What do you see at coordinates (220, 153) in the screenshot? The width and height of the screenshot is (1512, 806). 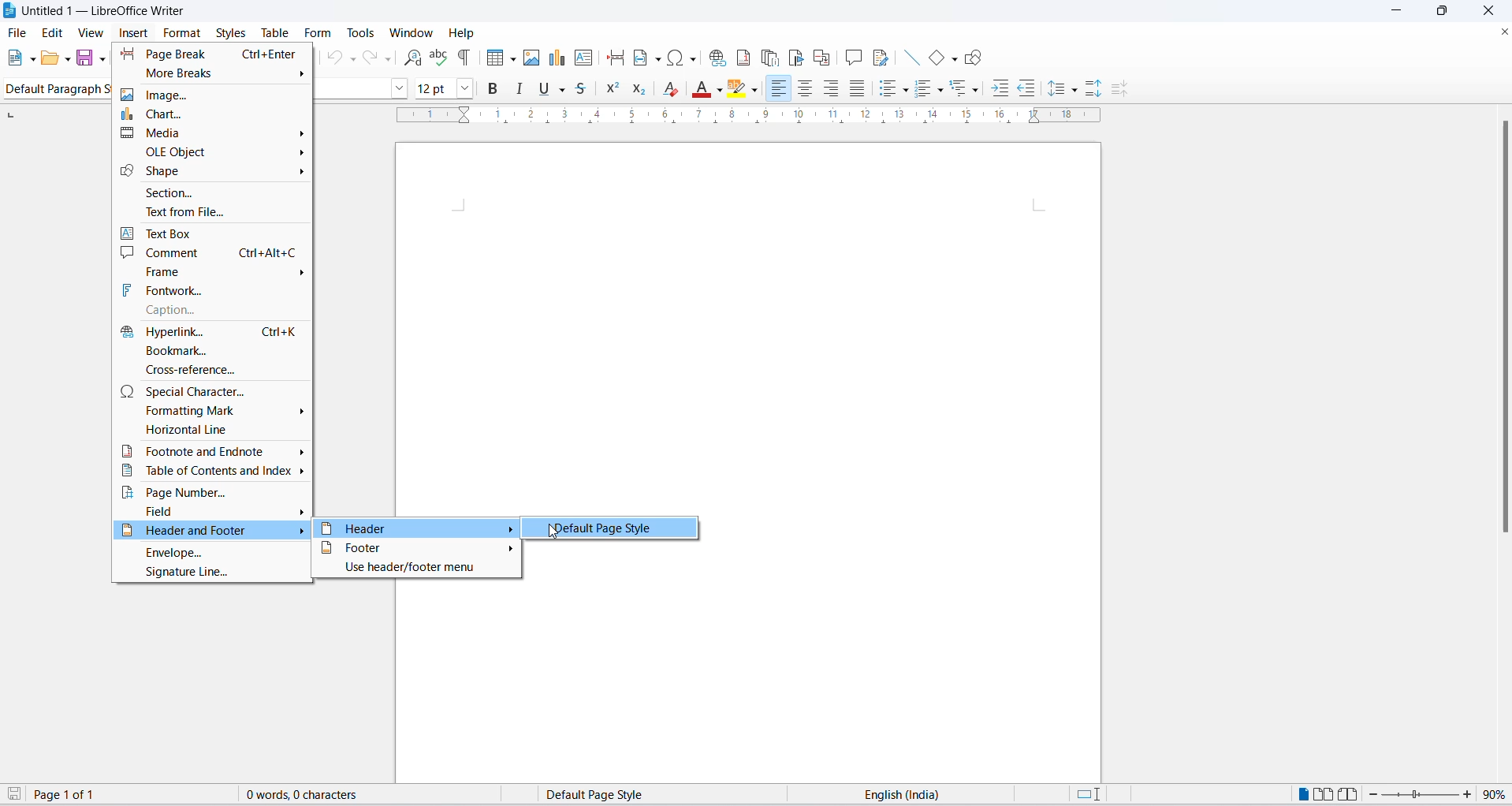 I see `OLE OBJECTS` at bounding box center [220, 153].